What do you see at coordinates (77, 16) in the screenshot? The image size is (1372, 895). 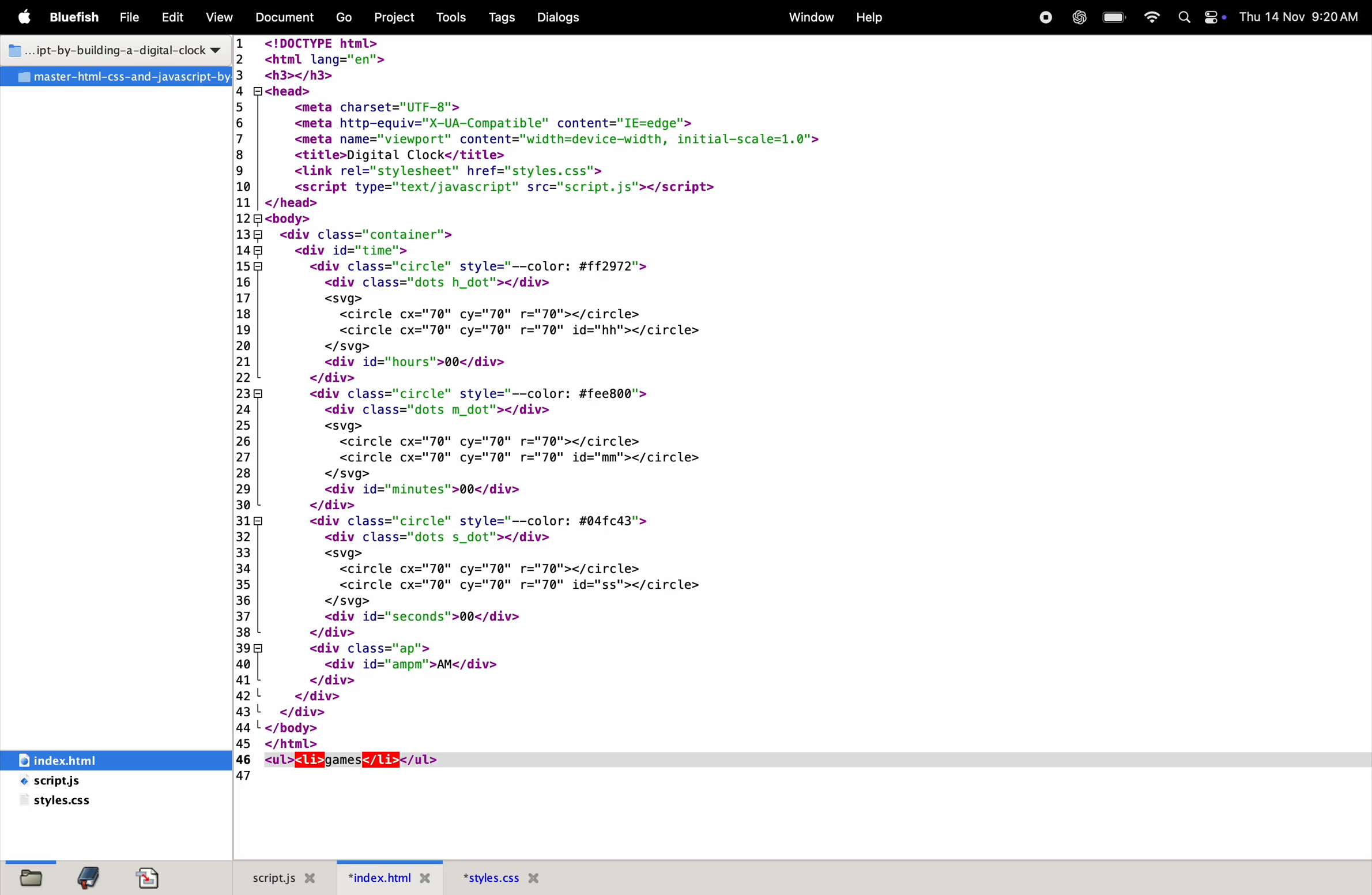 I see `BLuefish` at bounding box center [77, 16].